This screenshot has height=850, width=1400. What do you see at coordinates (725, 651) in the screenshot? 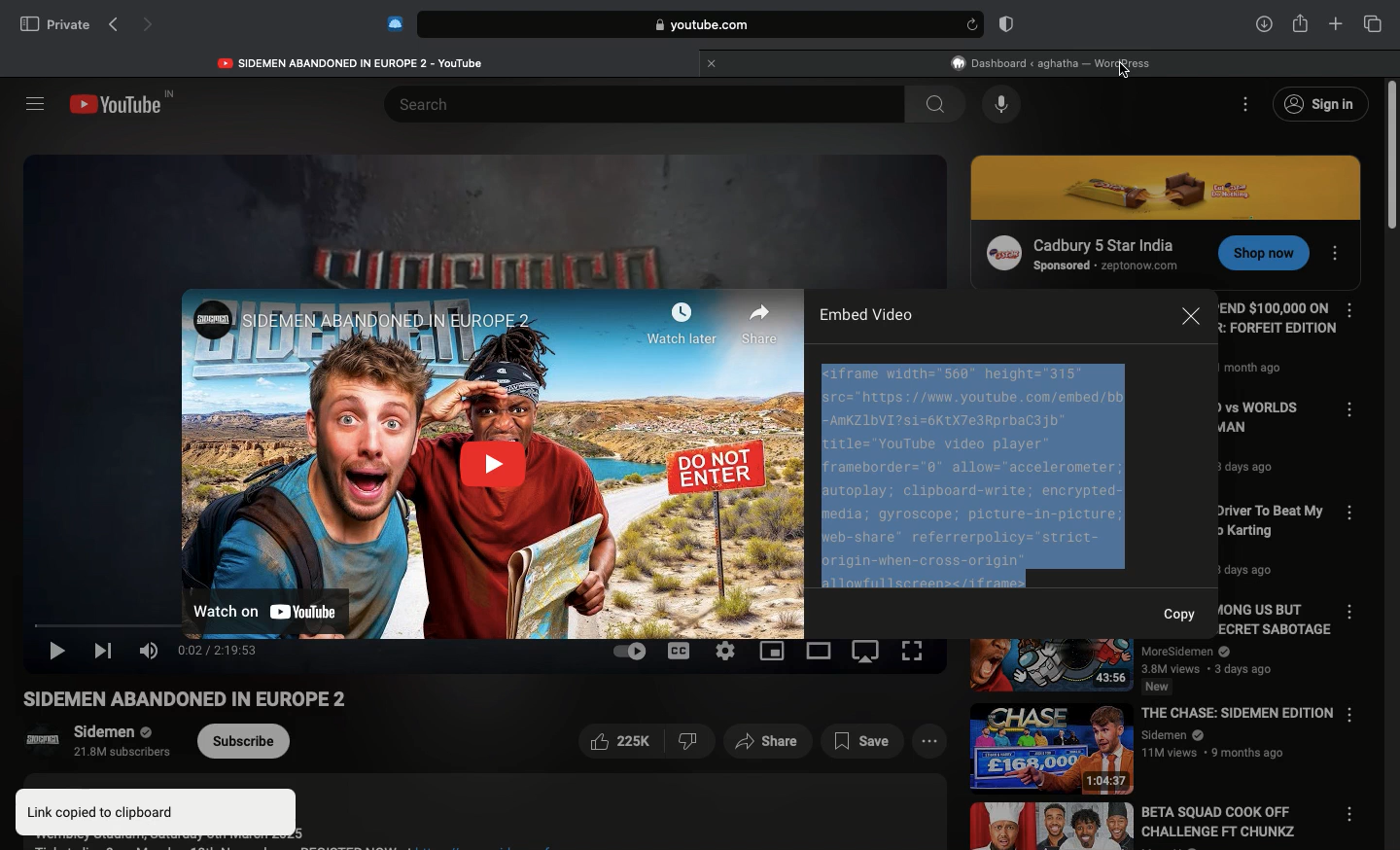
I see `Settings` at bounding box center [725, 651].